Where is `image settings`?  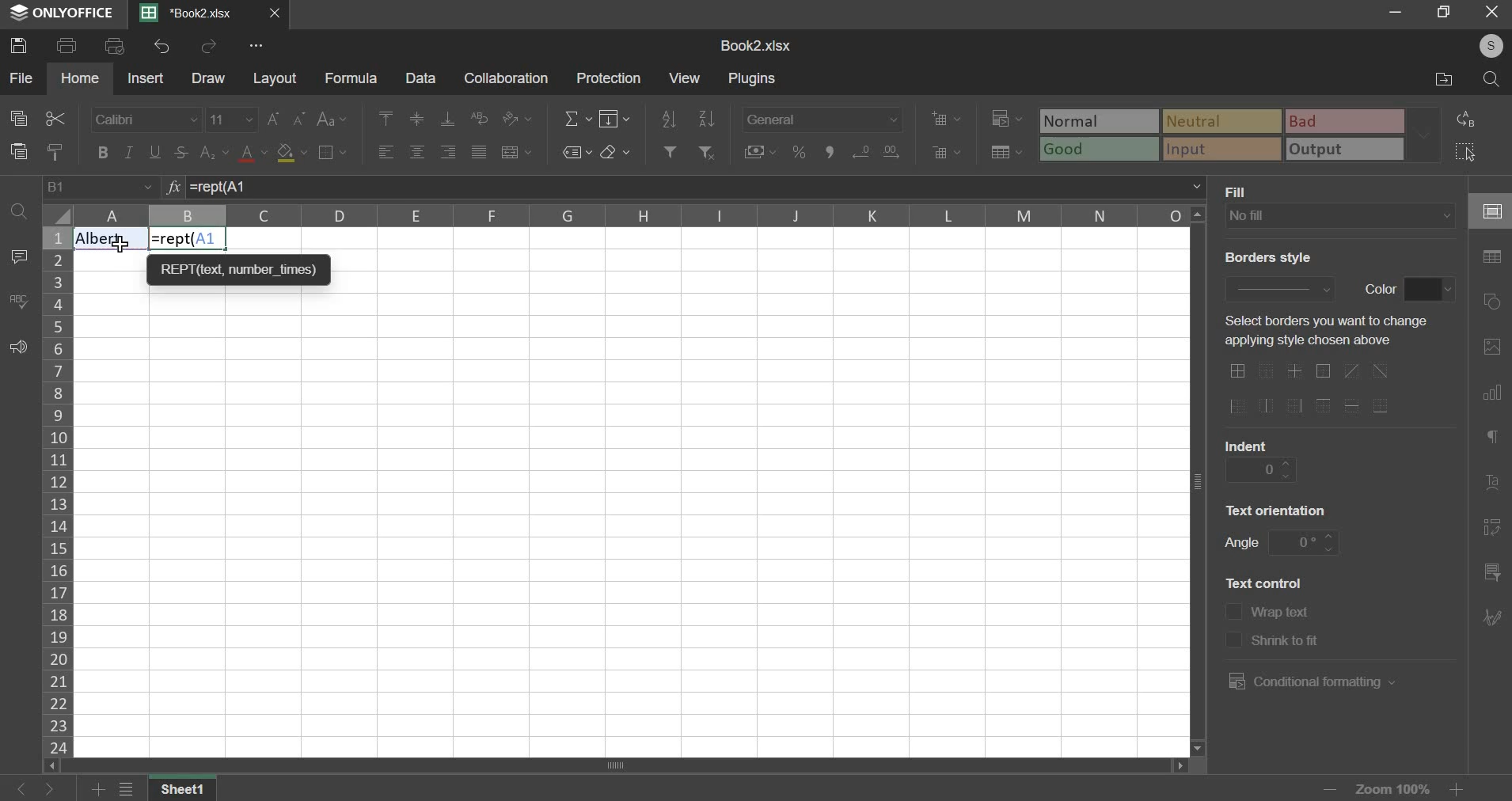
image settings is located at coordinates (1495, 344).